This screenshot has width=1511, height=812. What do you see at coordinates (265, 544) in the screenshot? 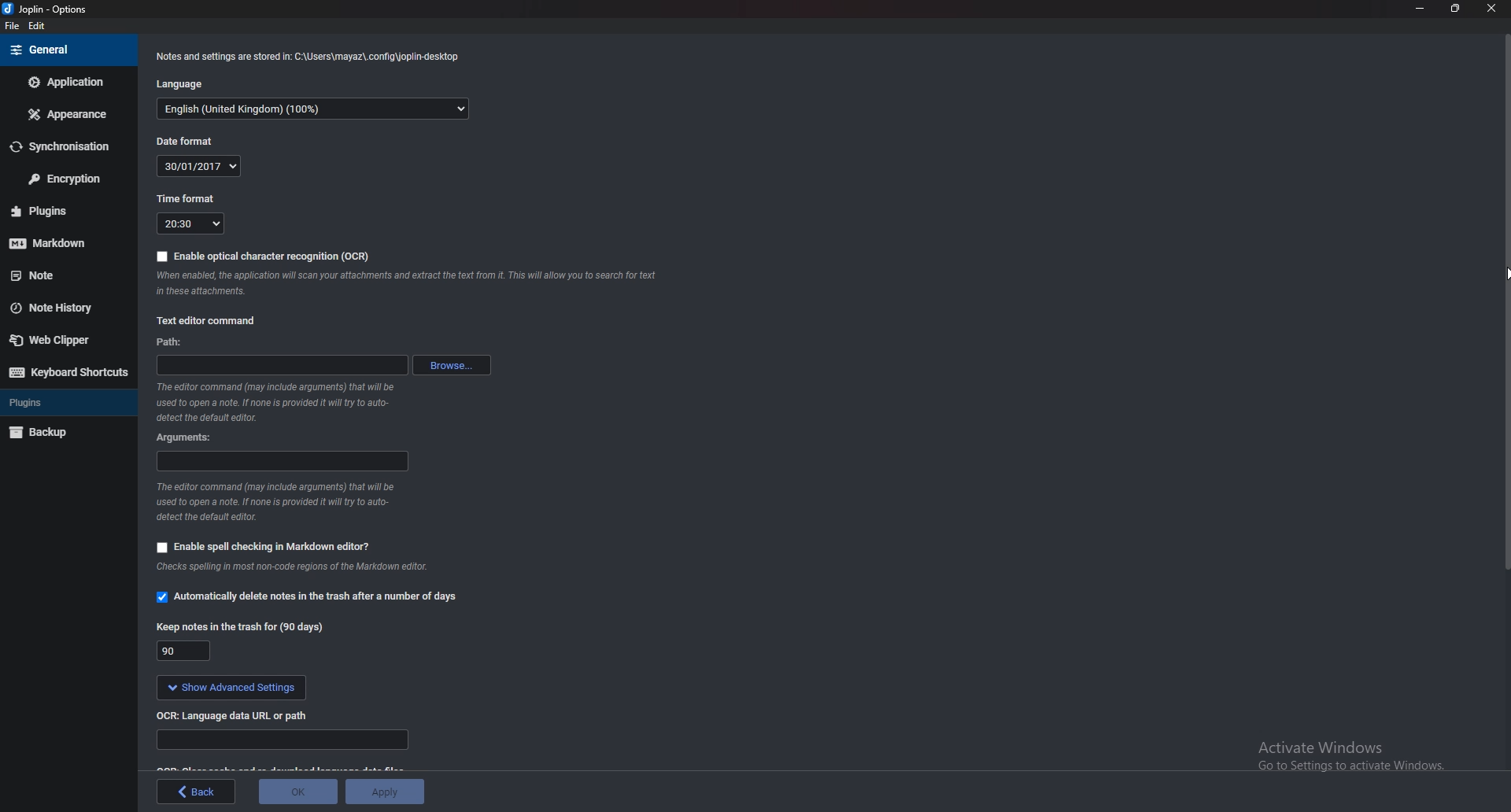
I see `Enable spell checking` at bounding box center [265, 544].